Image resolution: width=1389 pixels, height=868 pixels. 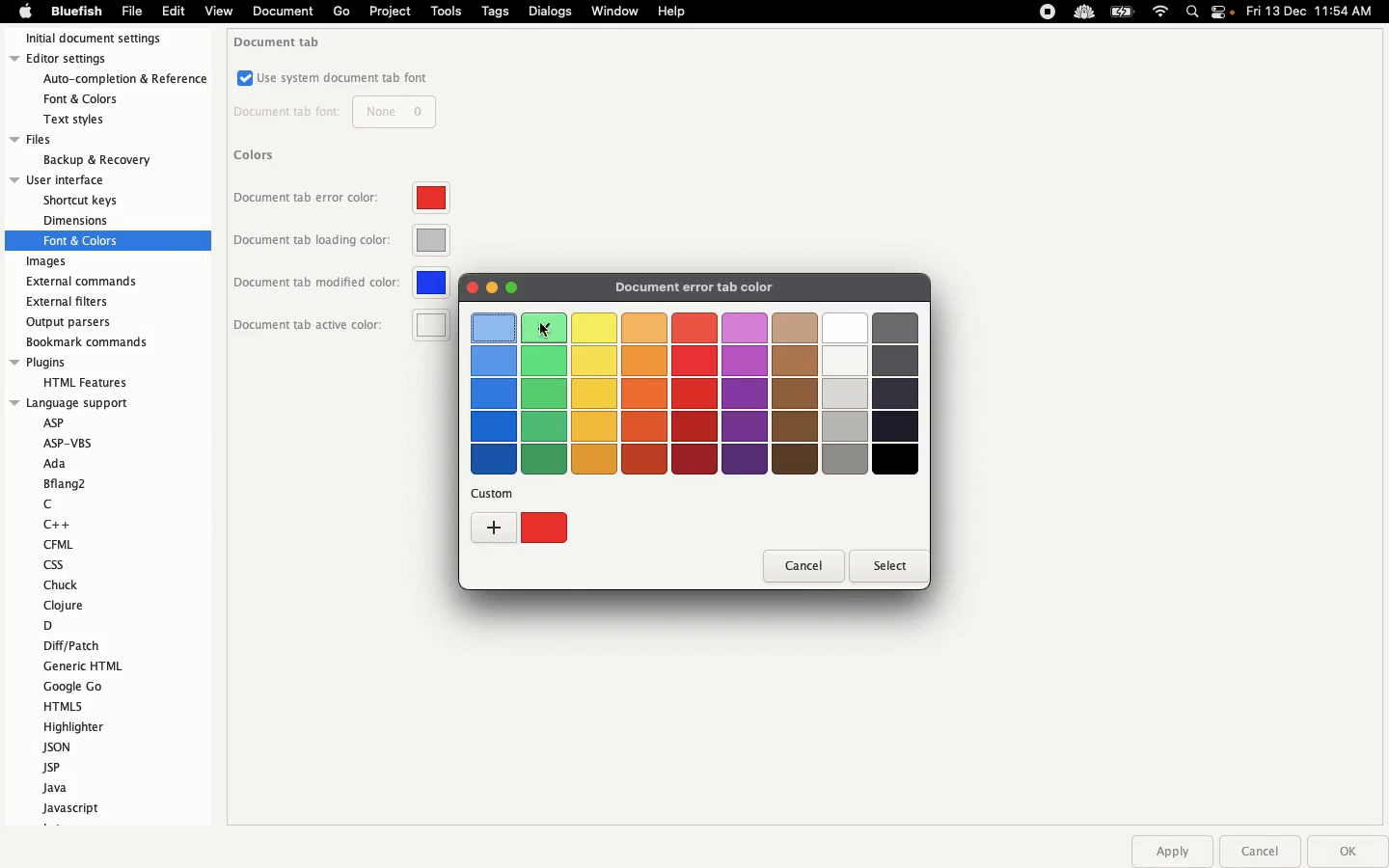 What do you see at coordinates (102, 40) in the screenshot?
I see `Initial document settings` at bounding box center [102, 40].